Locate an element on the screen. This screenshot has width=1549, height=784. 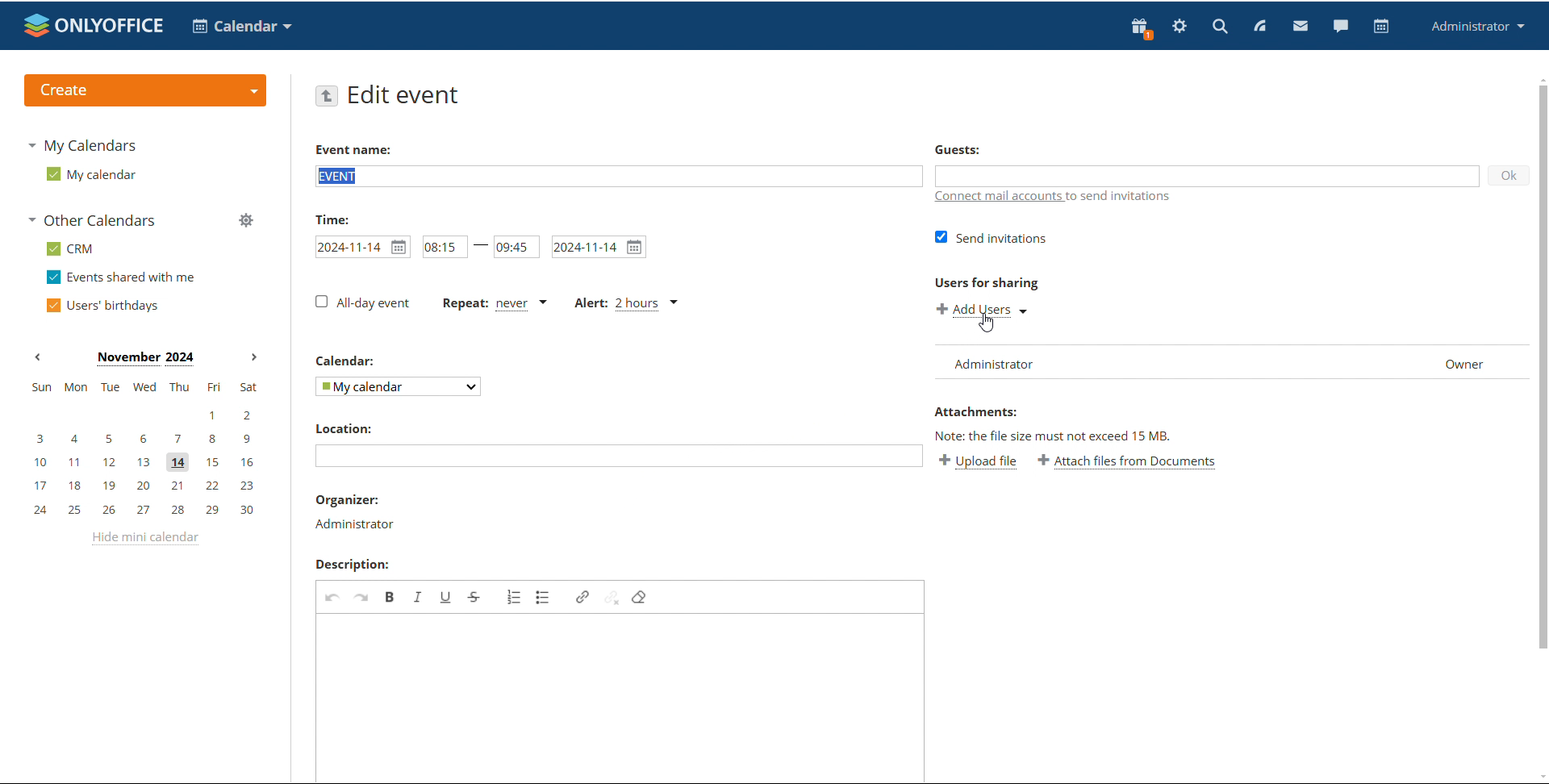
10, 11, 12, 13, 14, 15, 16 is located at coordinates (144, 463).